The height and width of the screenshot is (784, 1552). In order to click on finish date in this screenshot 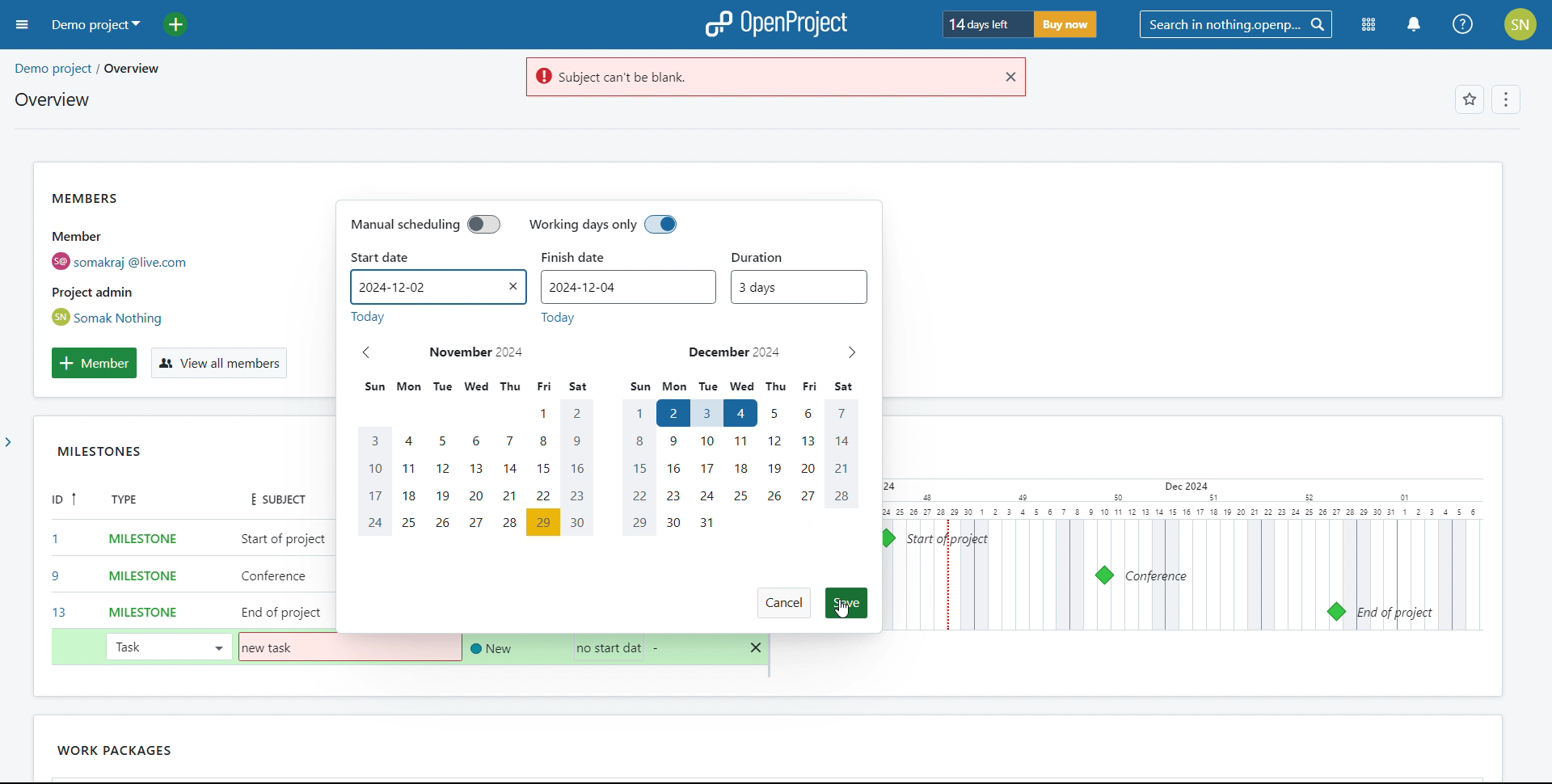, I will do `click(585, 257)`.